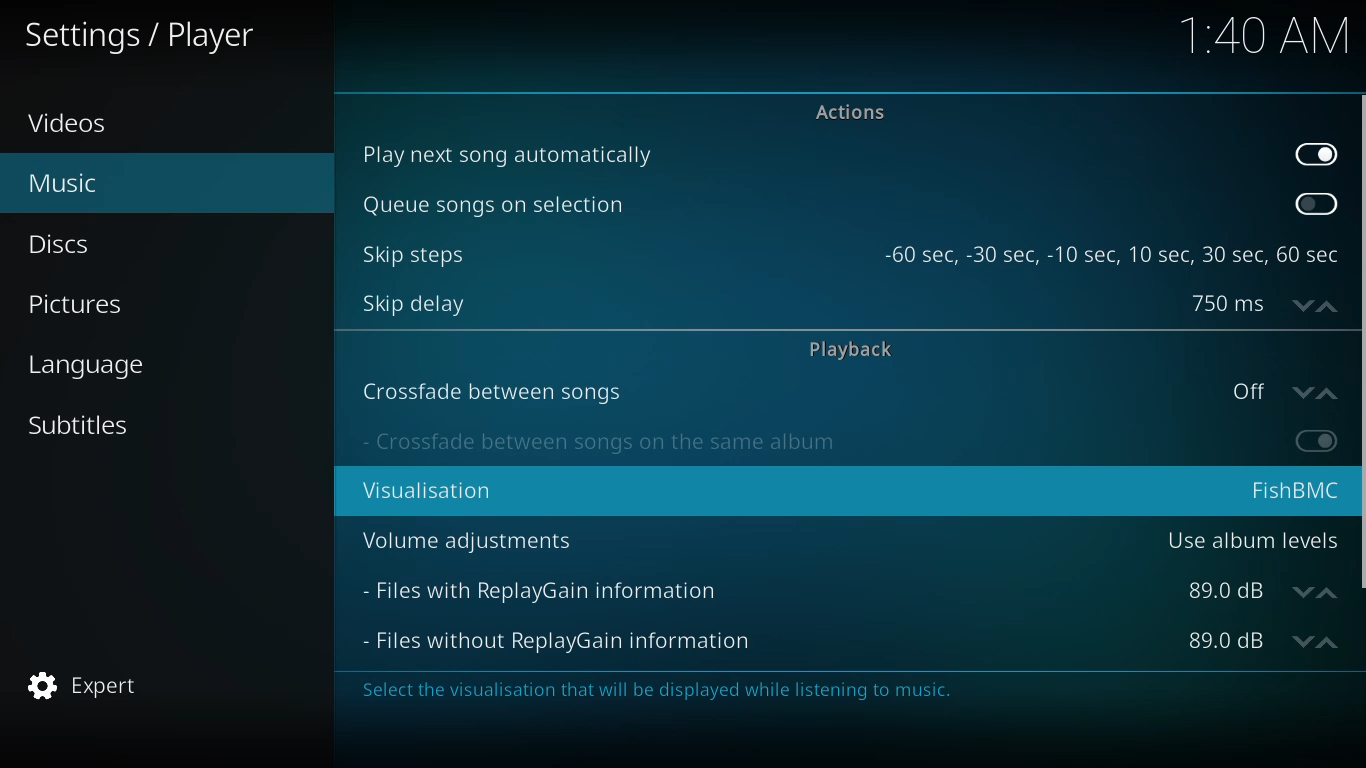 The width and height of the screenshot is (1366, 768). Describe the element at coordinates (79, 306) in the screenshot. I see `pictures` at that location.